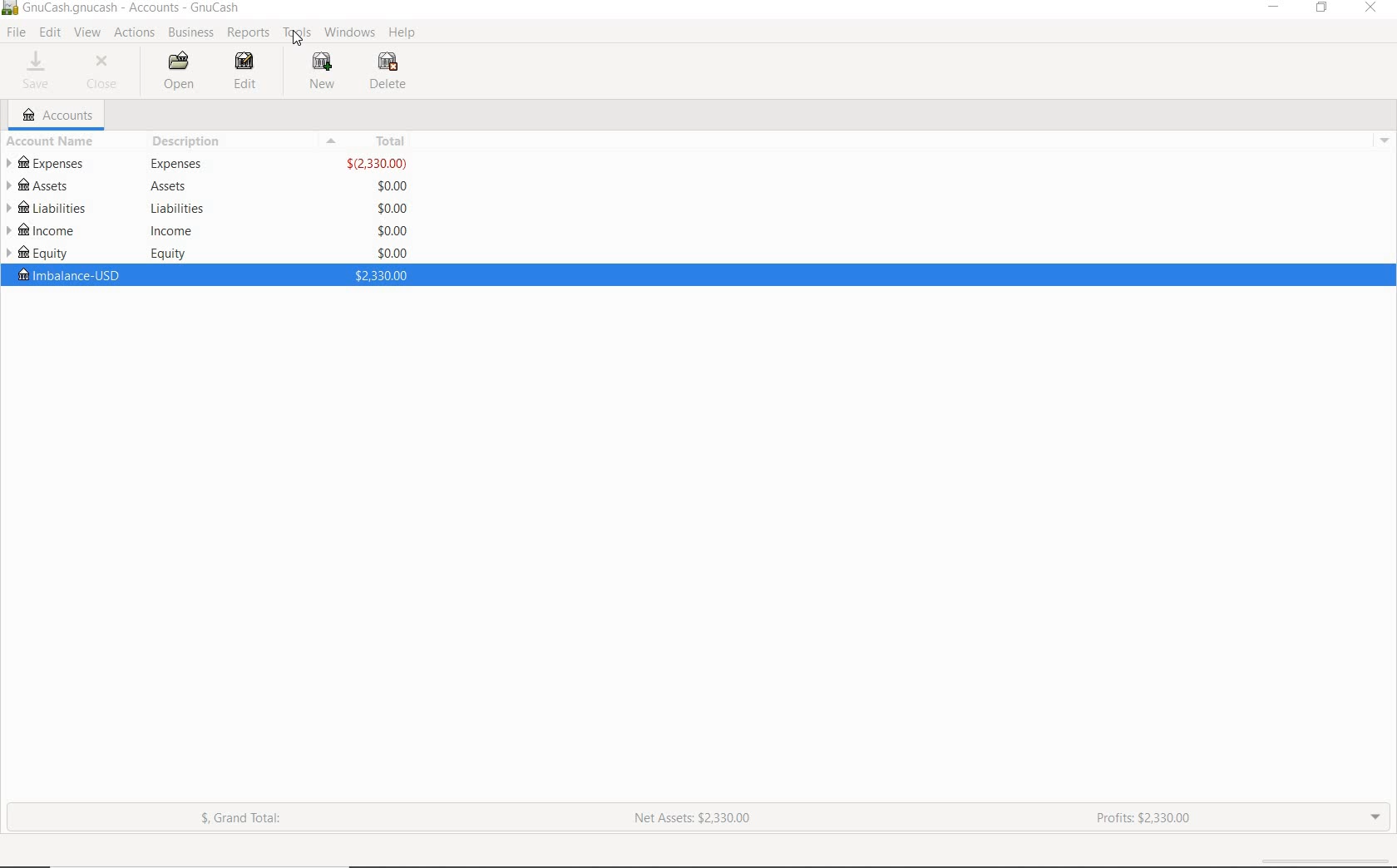 This screenshot has width=1397, height=868. Describe the element at coordinates (1371, 7) in the screenshot. I see `CLOSE` at that location.